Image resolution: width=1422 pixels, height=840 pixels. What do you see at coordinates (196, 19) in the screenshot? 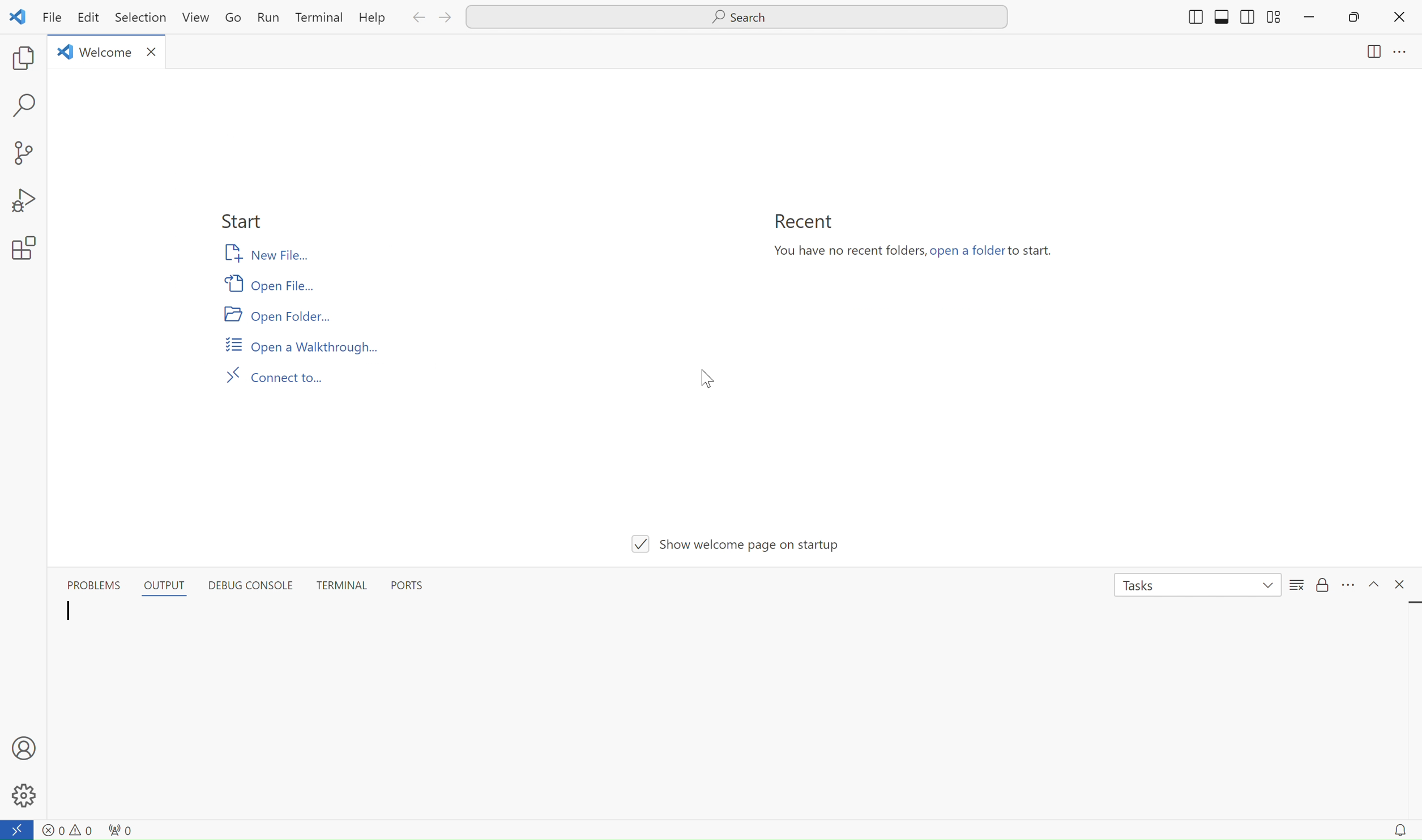
I see `View` at bounding box center [196, 19].